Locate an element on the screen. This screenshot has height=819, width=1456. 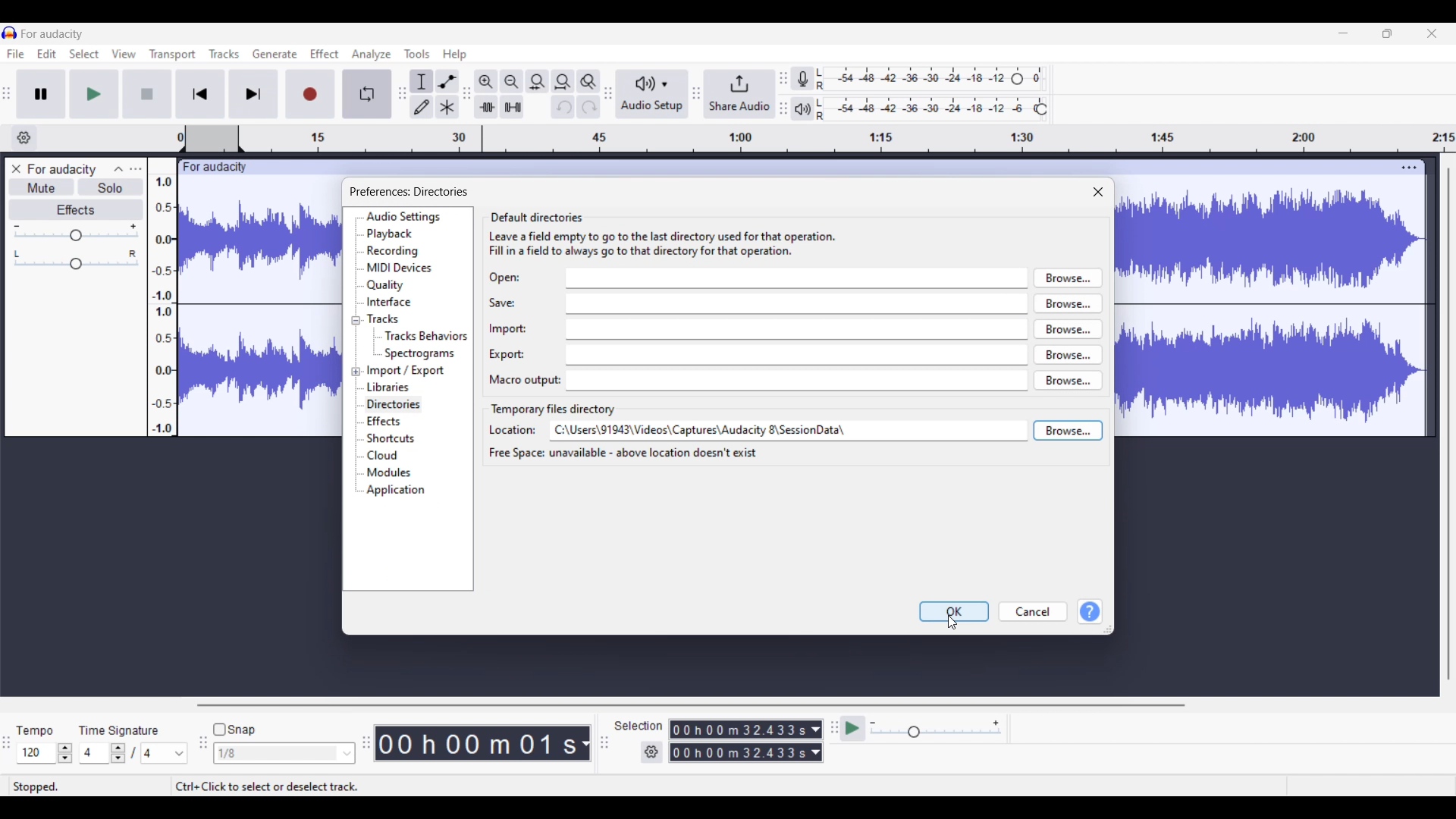
browse is located at coordinates (1068, 278).